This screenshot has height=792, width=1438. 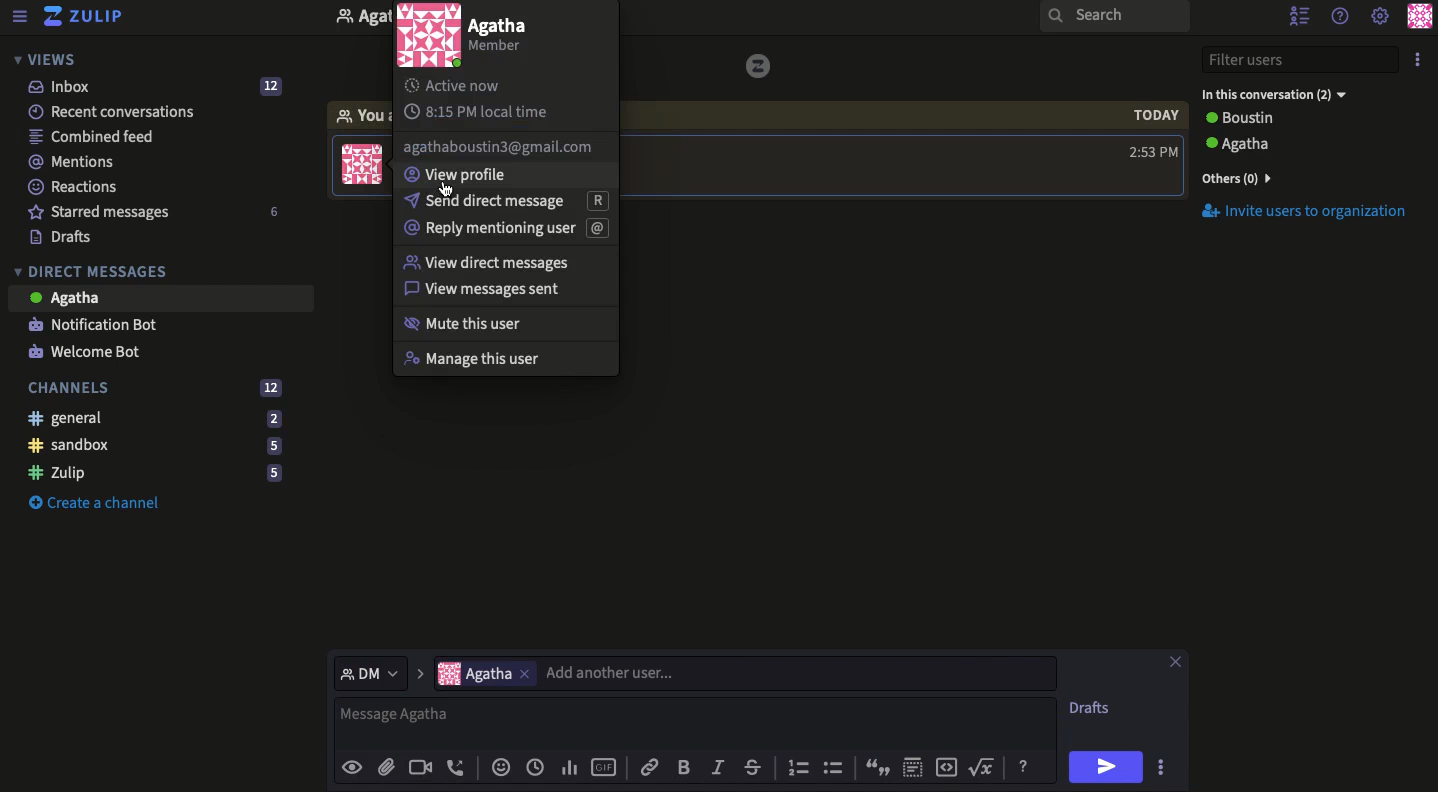 What do you see at coordinates (1258, 177) in the screenshot?
I see `others` at bounding box center [1258, 177].